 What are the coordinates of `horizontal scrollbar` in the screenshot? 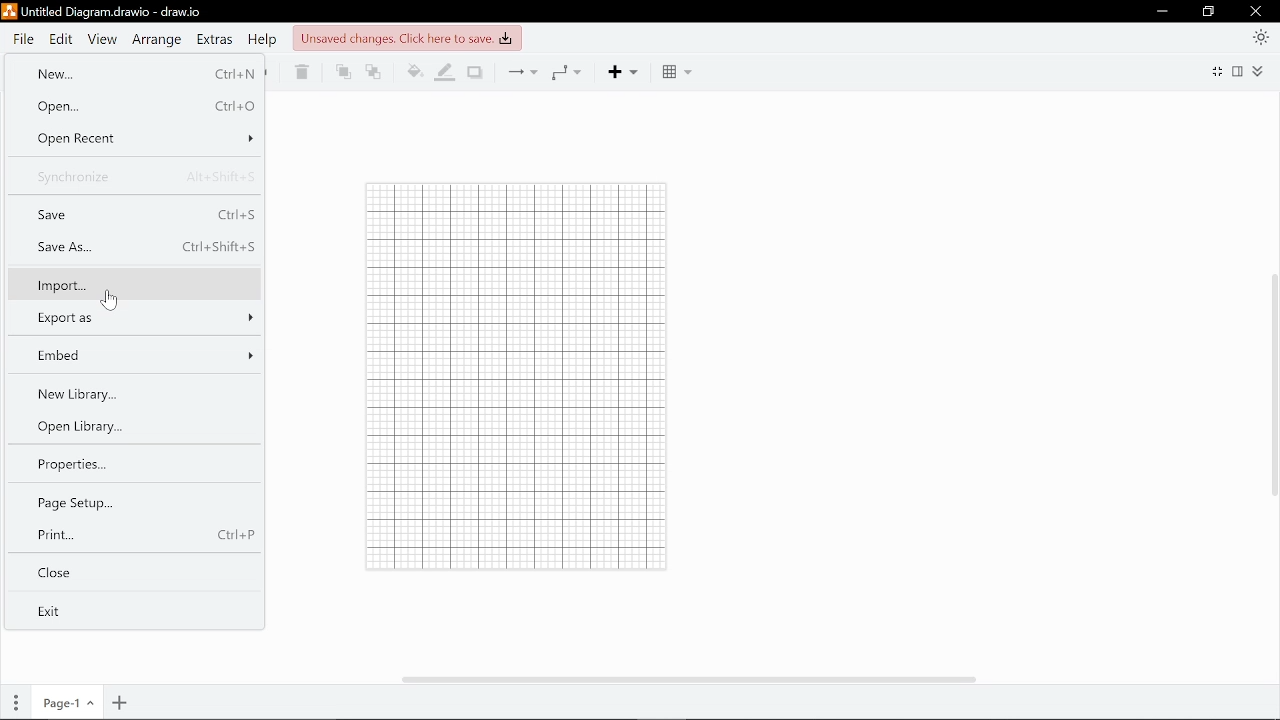 It's located at (696, 676).